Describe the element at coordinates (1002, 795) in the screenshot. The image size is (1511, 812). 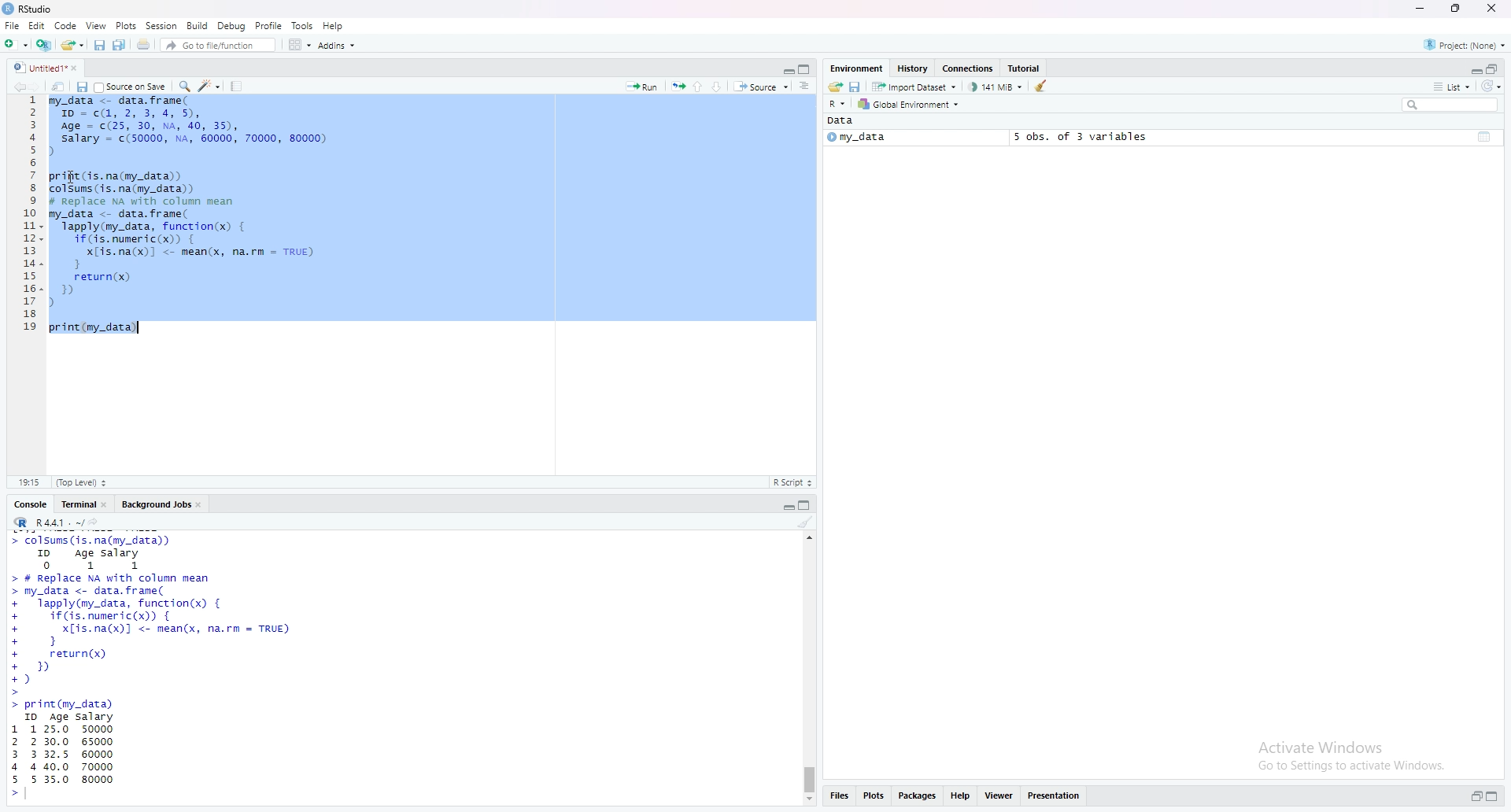
I see `views` at that location.